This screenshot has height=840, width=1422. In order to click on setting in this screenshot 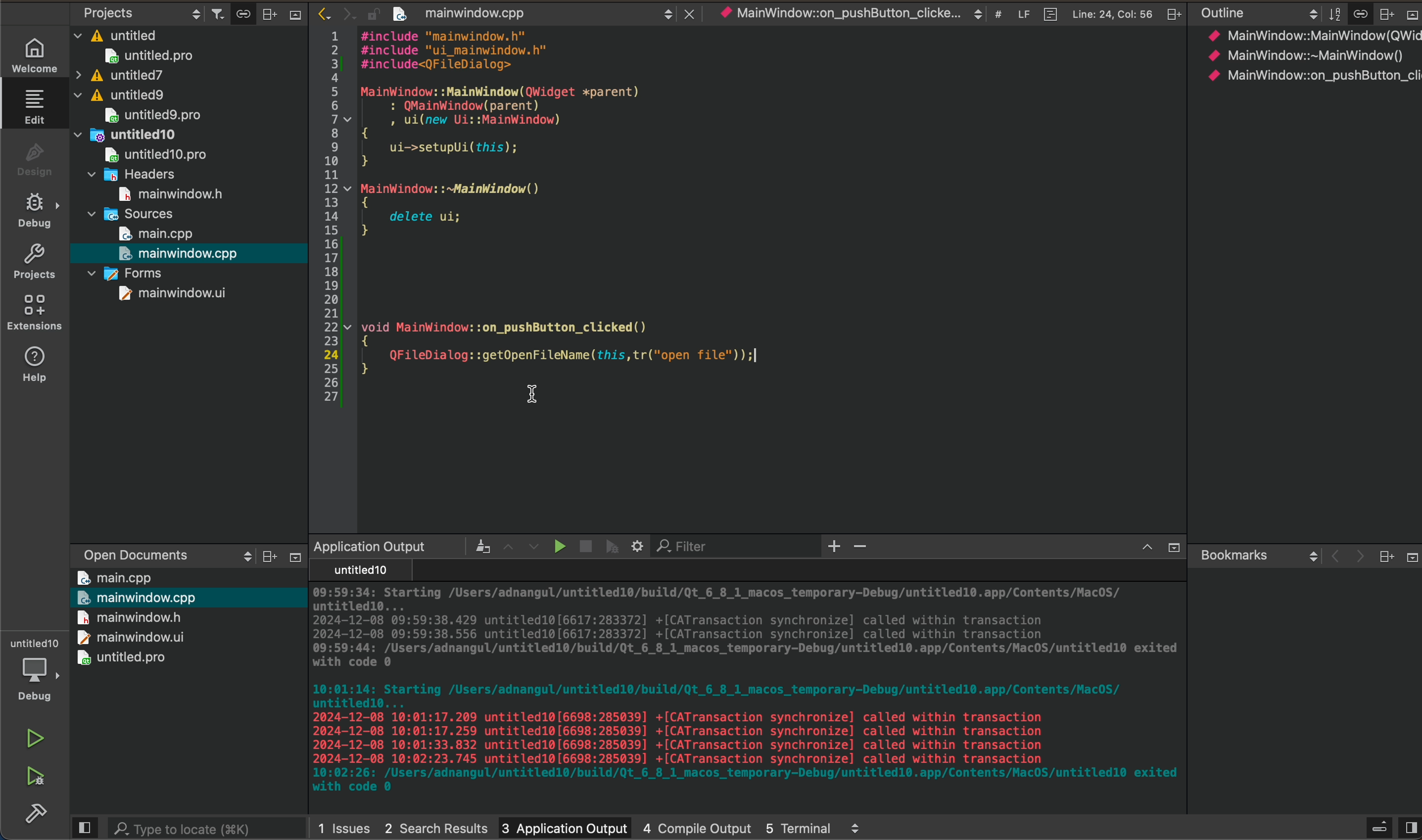, I will do `click(639, 546)`.